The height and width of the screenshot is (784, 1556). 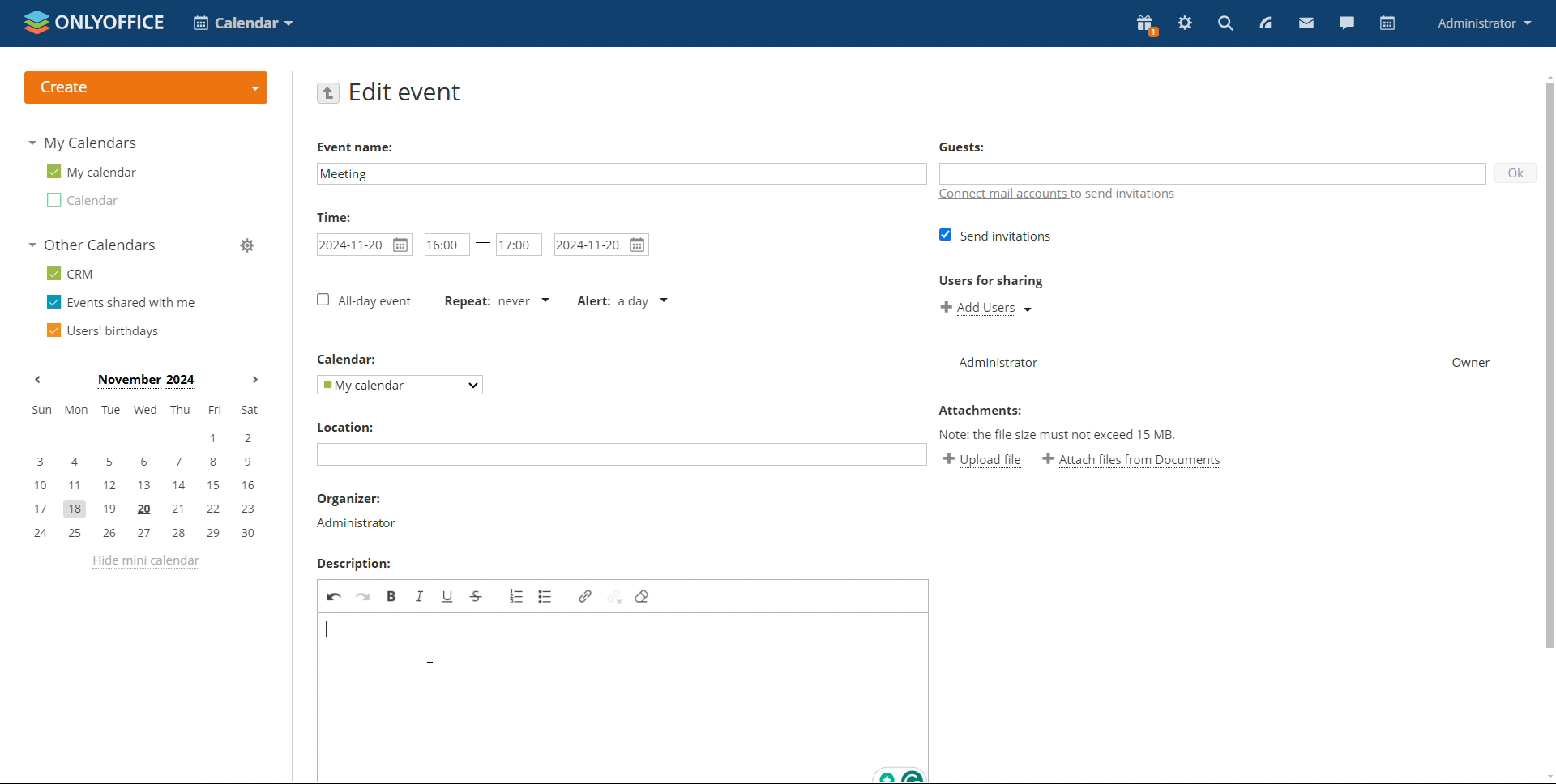 I want to click on events shared with me, so click(x=122, y=301).